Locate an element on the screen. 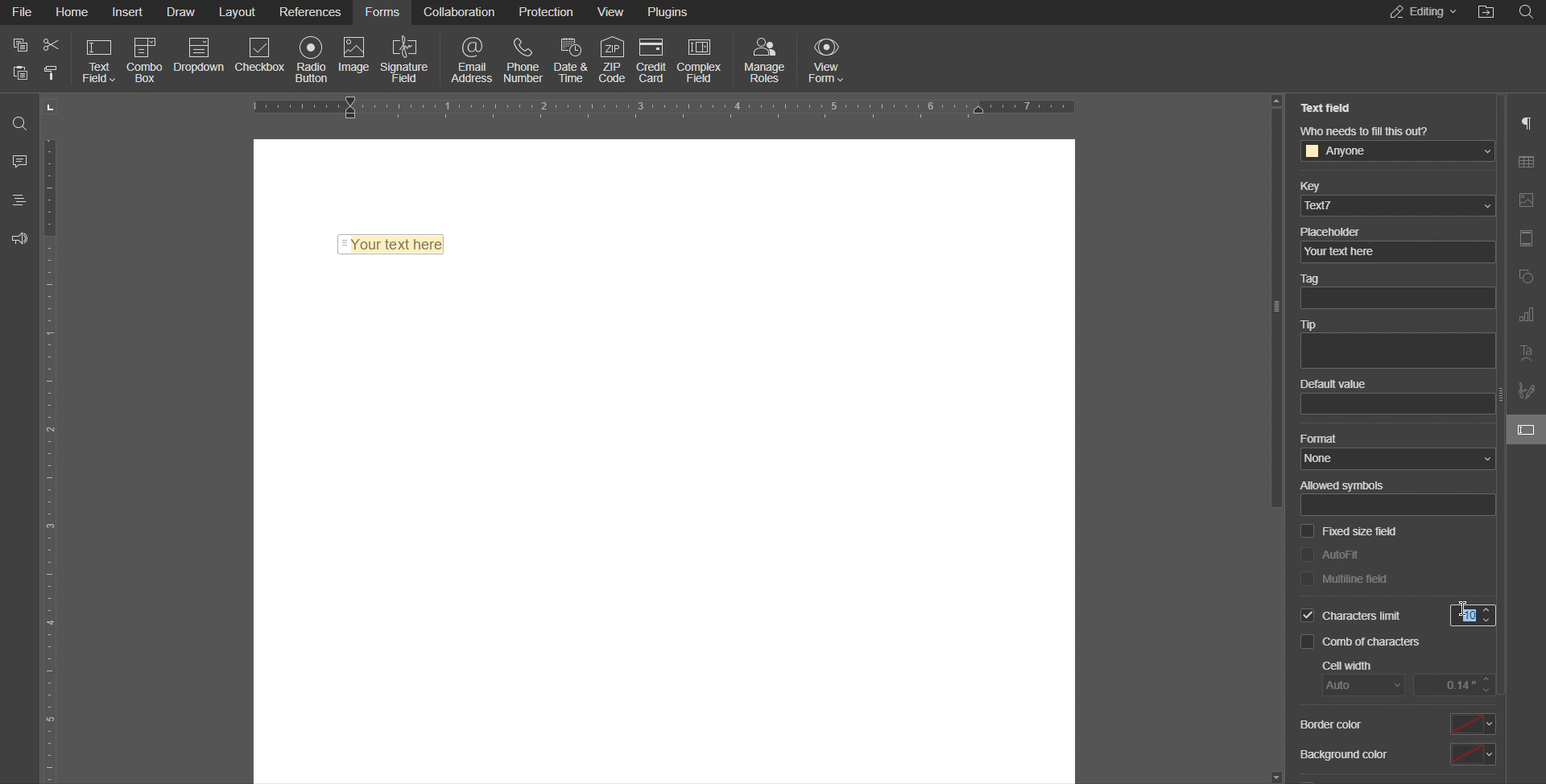 This screenshot has height=784, width=1546. Editing is located at coordinates (1419, 13).